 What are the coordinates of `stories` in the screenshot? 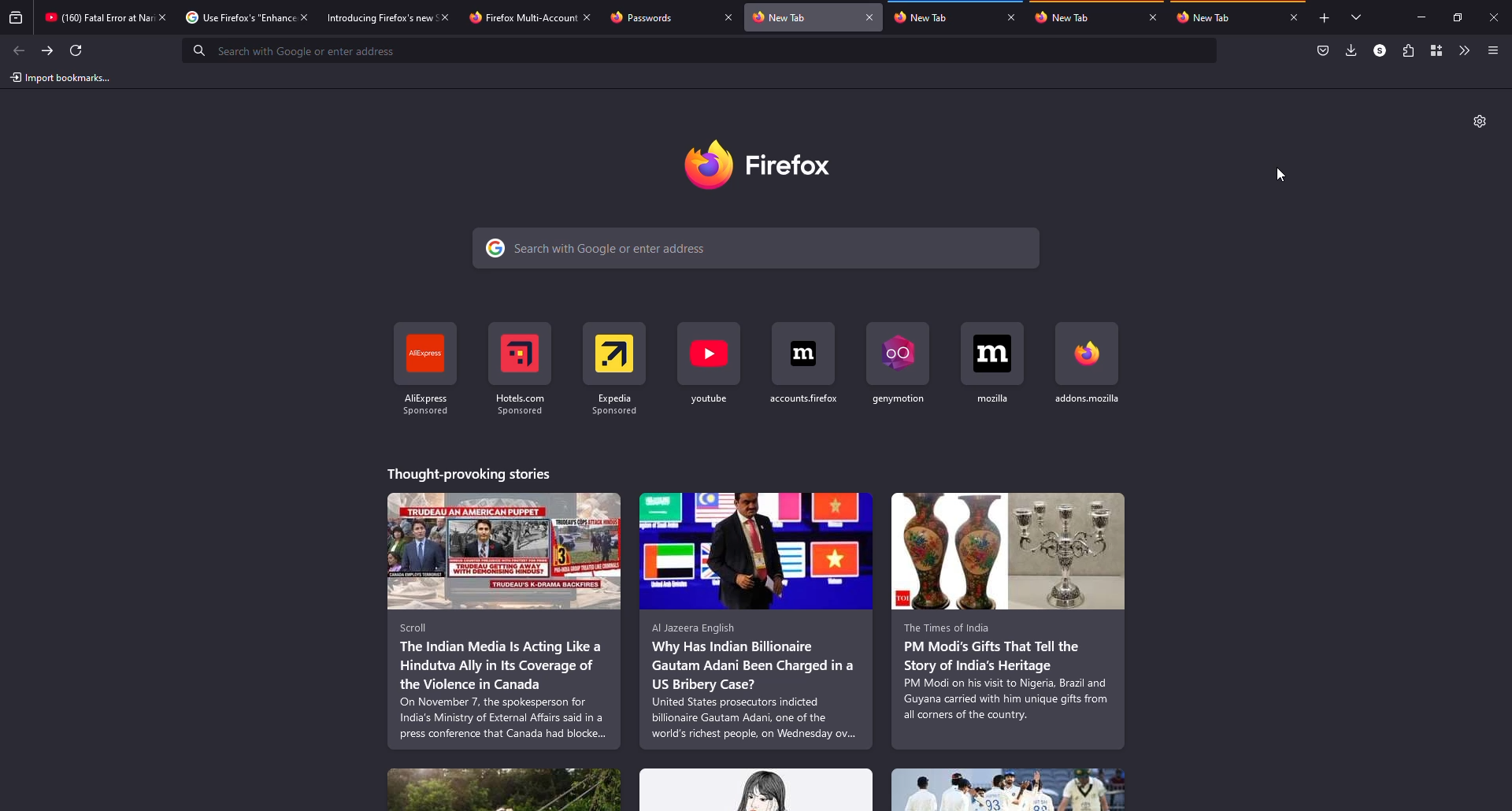 It's located at (504, 621).